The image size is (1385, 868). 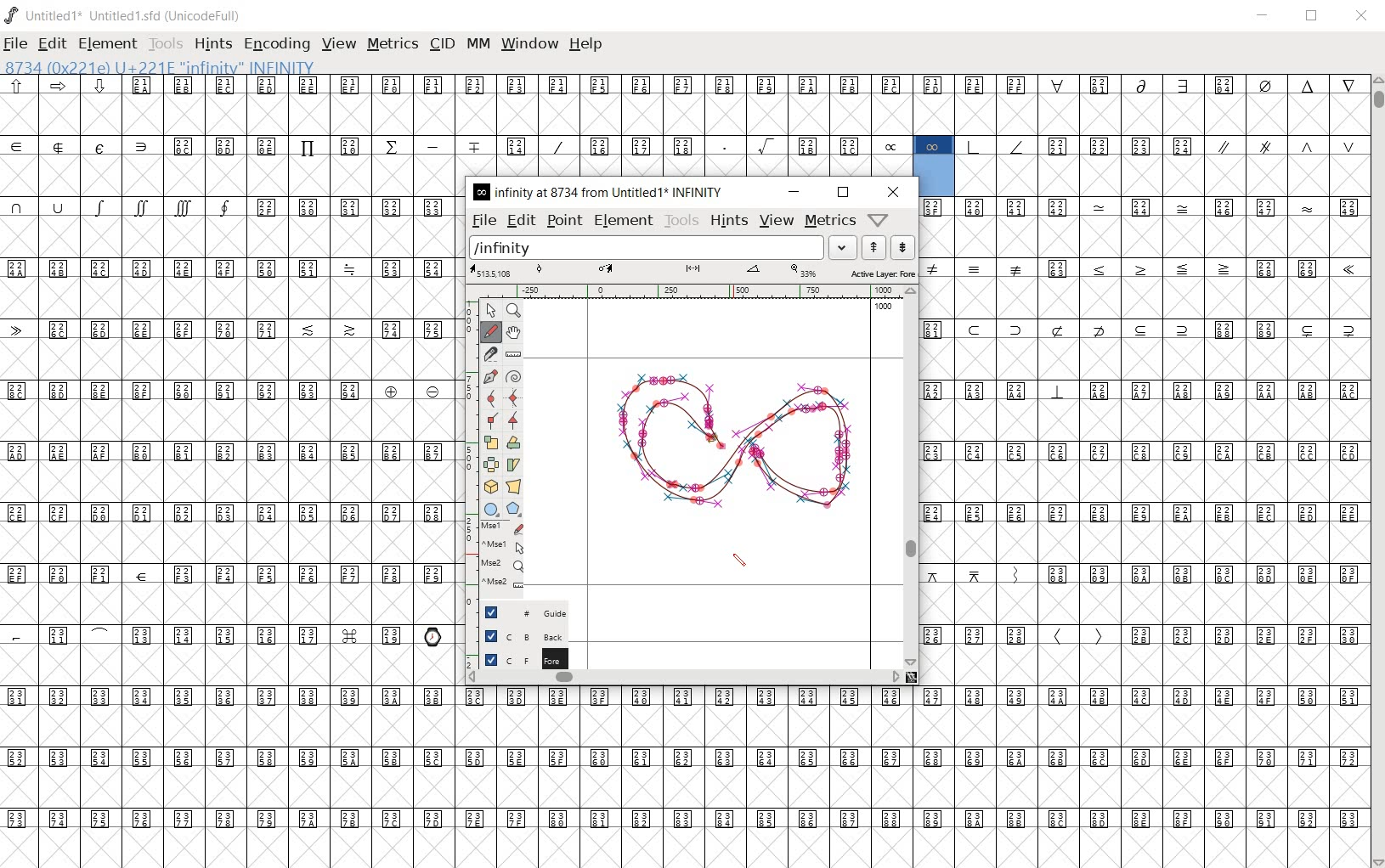 What do you see at coordinates (1348, 270) in the screenshot?
I see `symbol` at bounding box center [1348, 270].